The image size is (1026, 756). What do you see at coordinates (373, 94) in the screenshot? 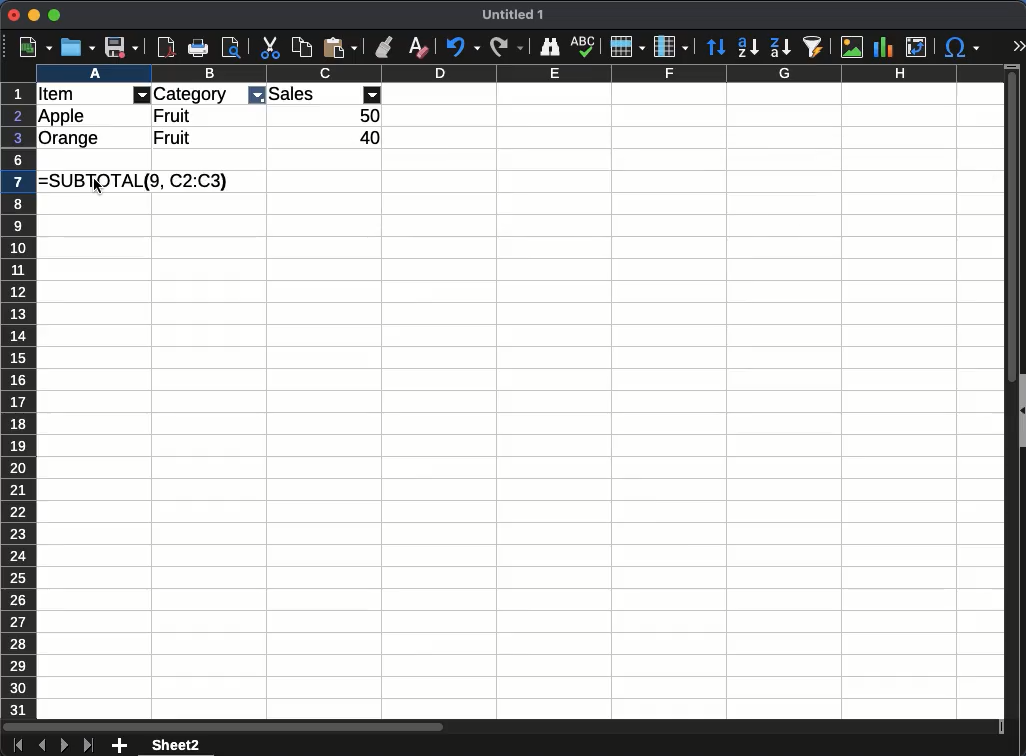
I see `filter` at bounding box center [373, 94].